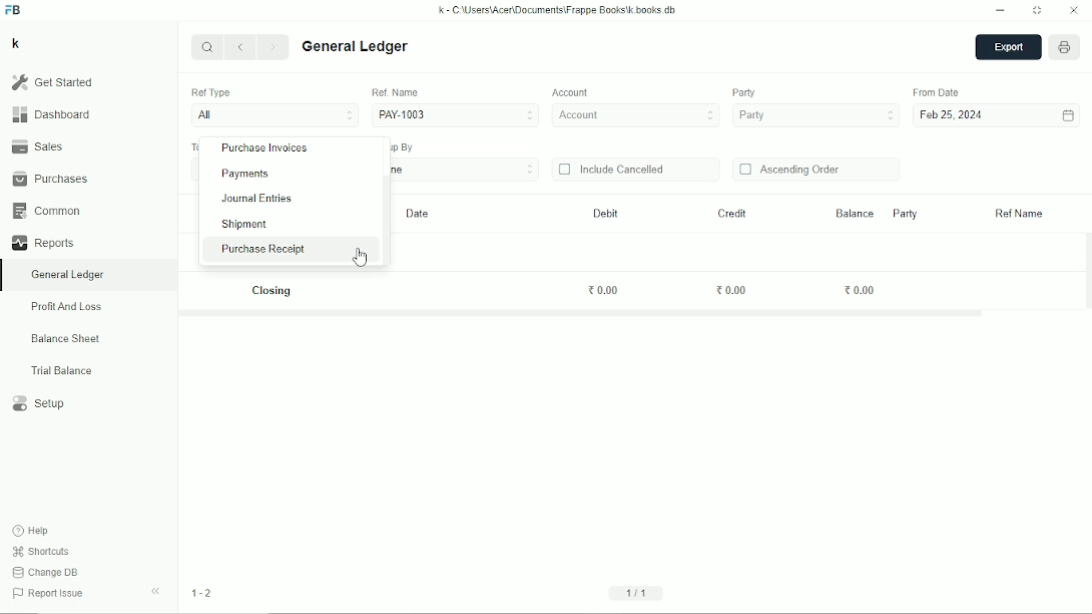  I want to click on Journal entries, so click(258, 198).